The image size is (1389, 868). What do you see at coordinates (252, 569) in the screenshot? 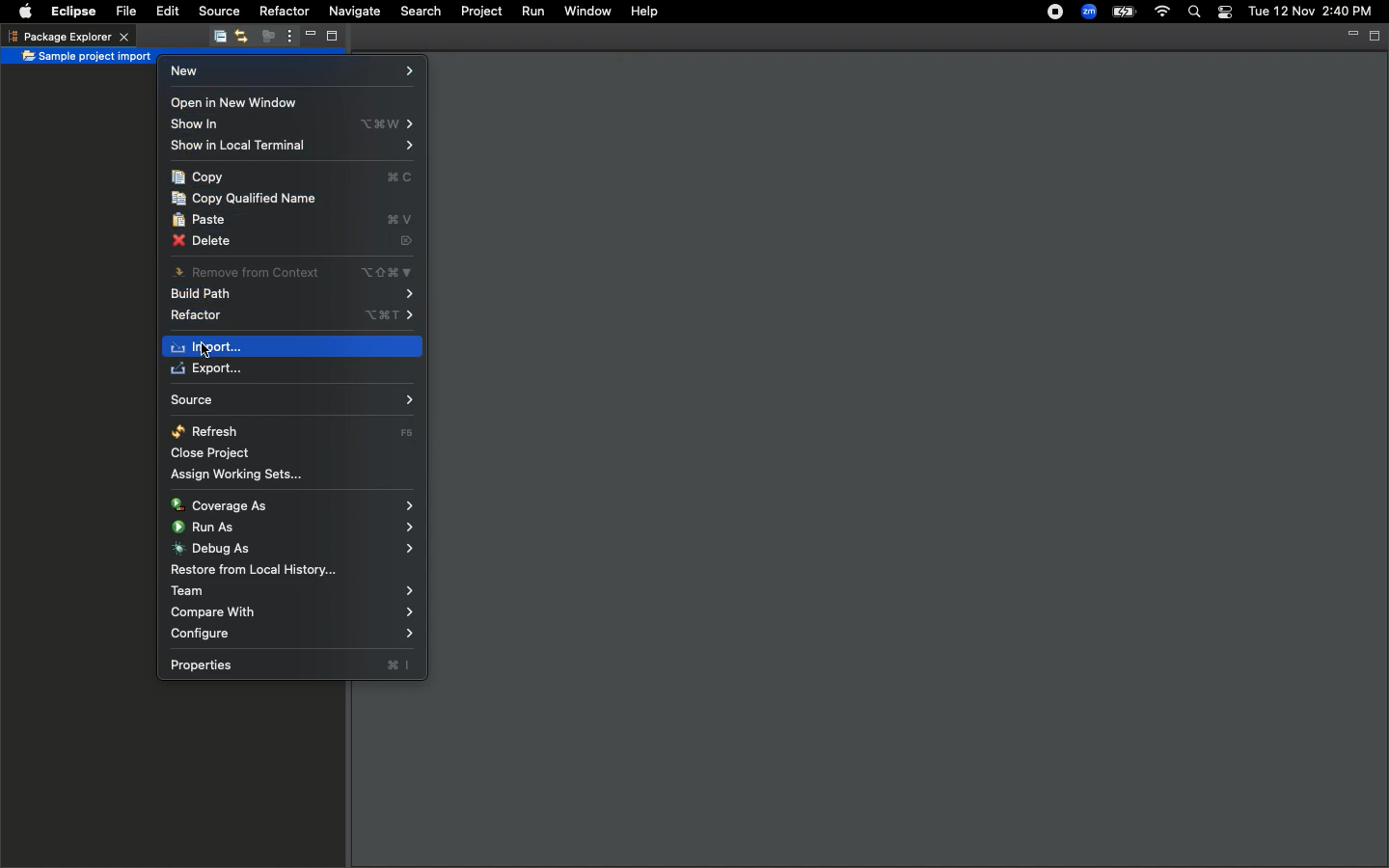
I see `Restore from local history` at bounding box center [252, 569].